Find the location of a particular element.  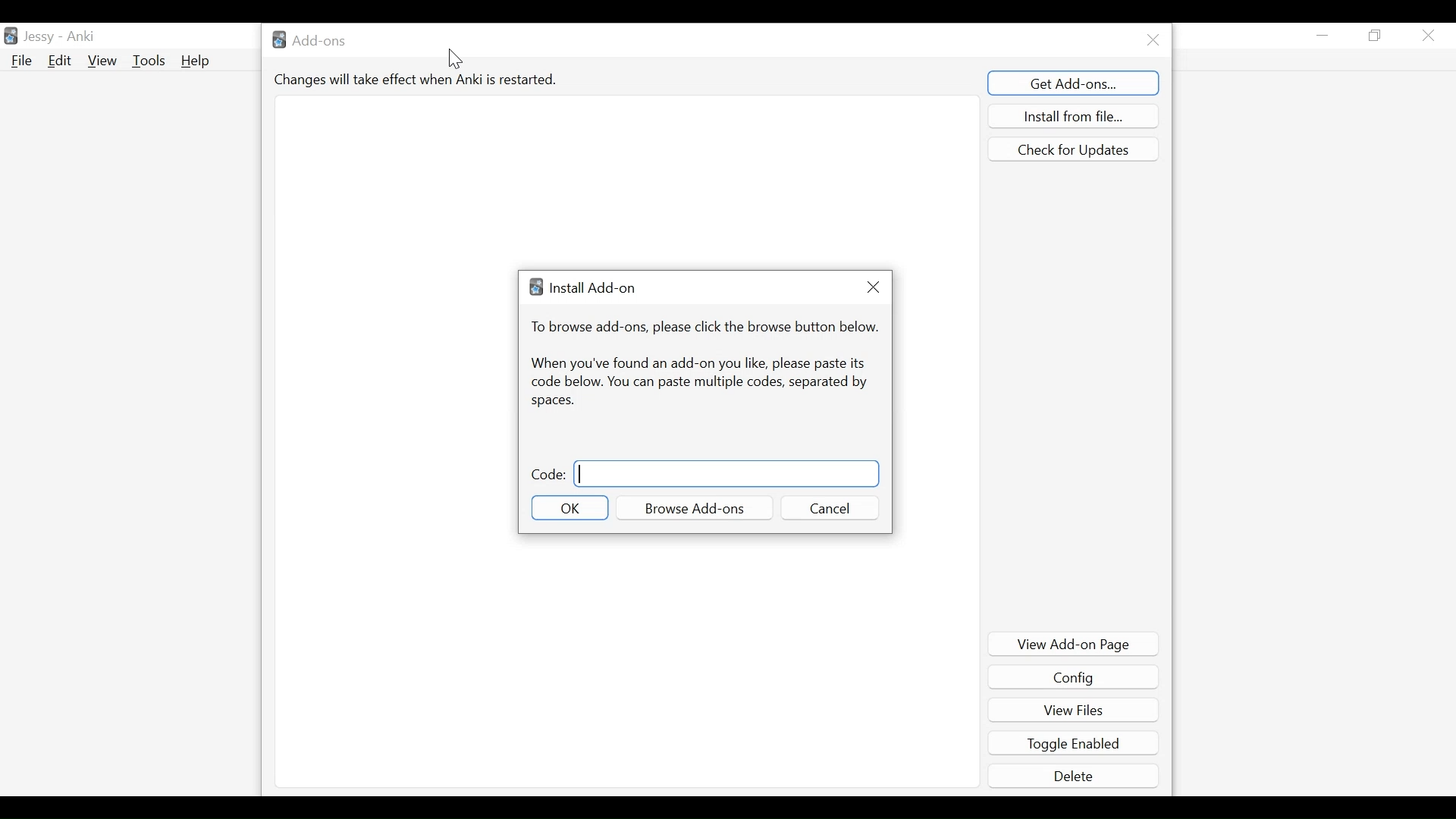

Add-ons is located at coordinates (313, 39).